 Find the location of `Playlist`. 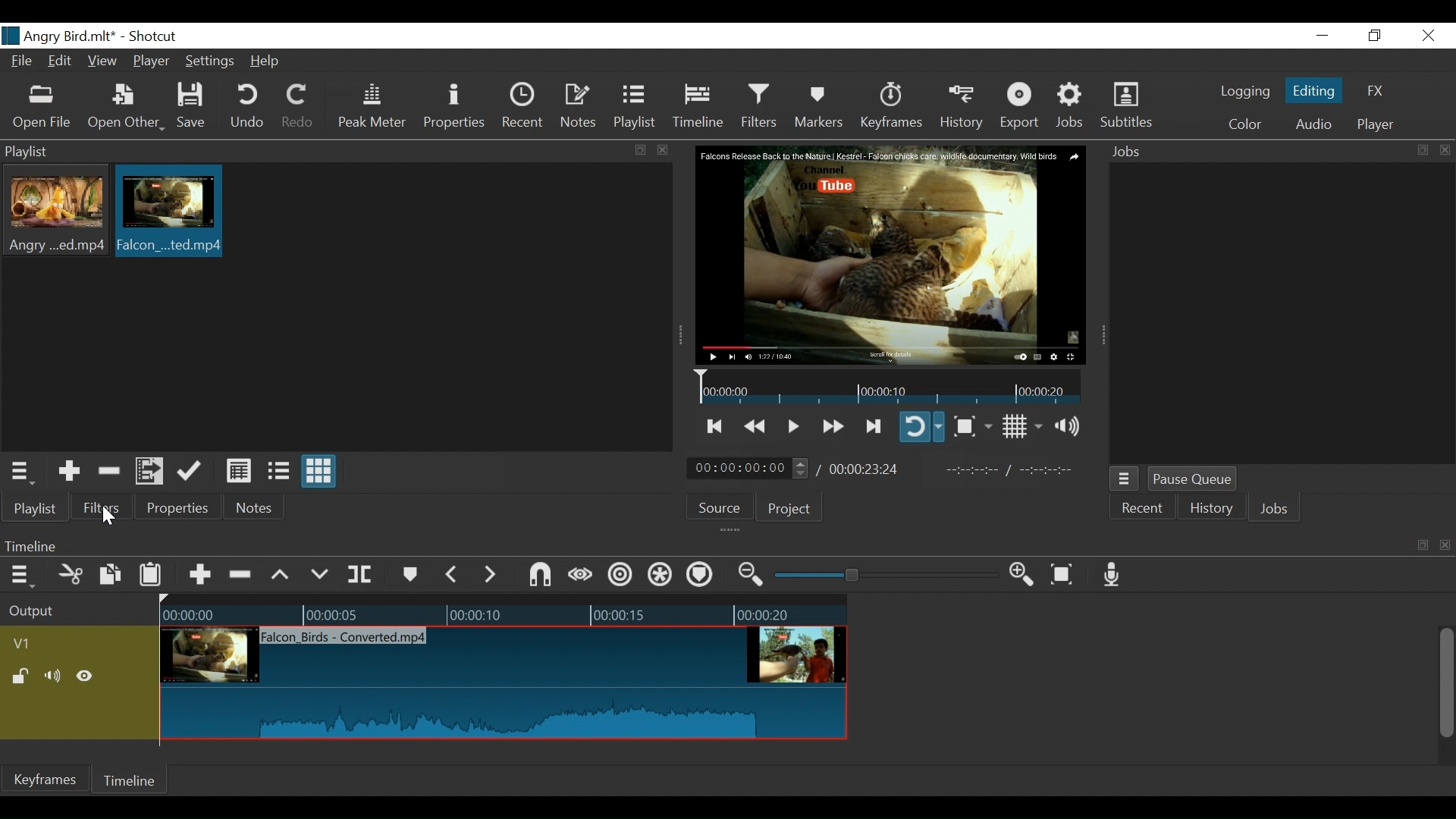

Playlist is located at coordinates (635, 106).